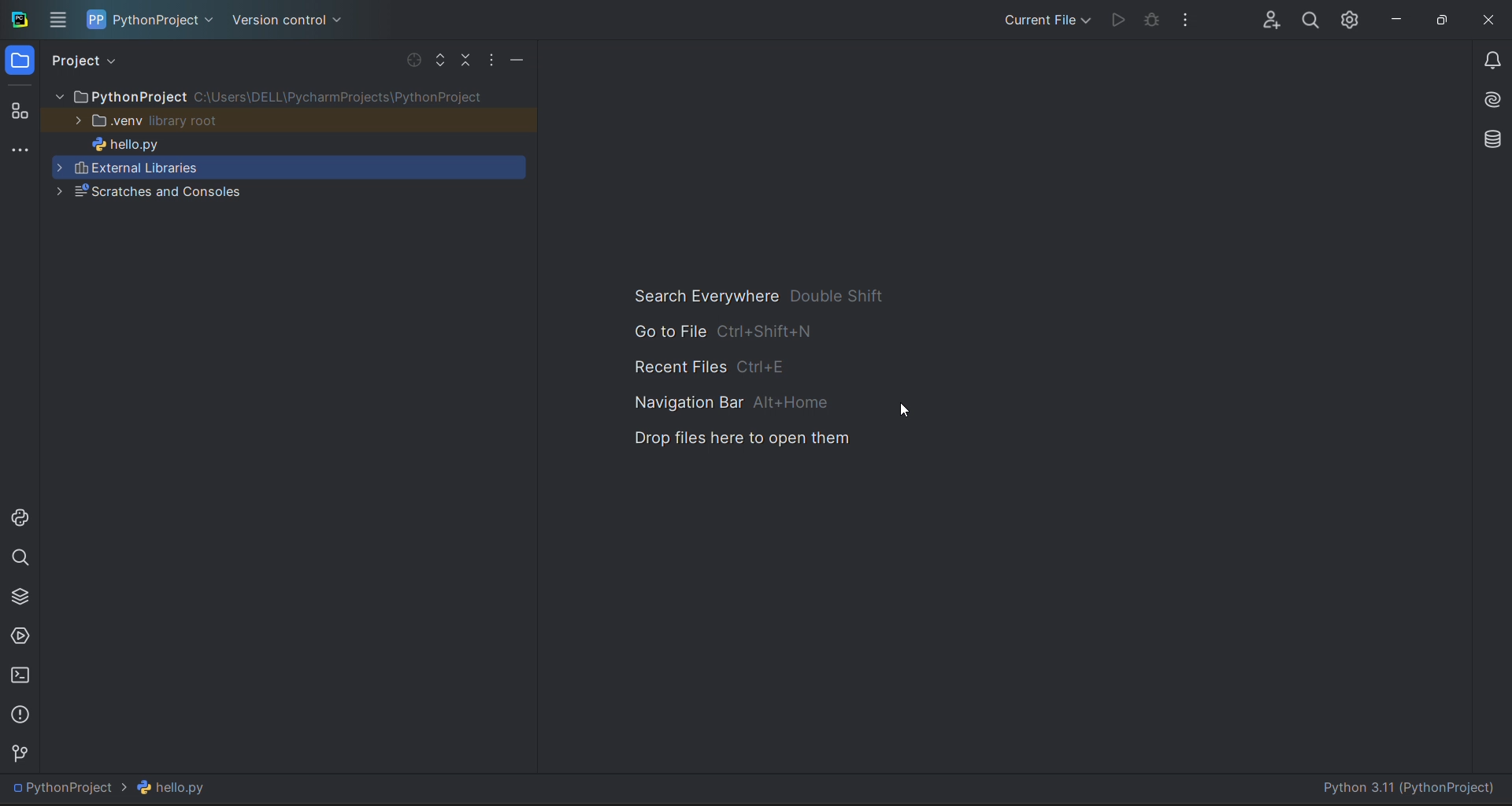 The height and width of the screenshot is (806, 1512). I want to click on search, so click(1310, 19).